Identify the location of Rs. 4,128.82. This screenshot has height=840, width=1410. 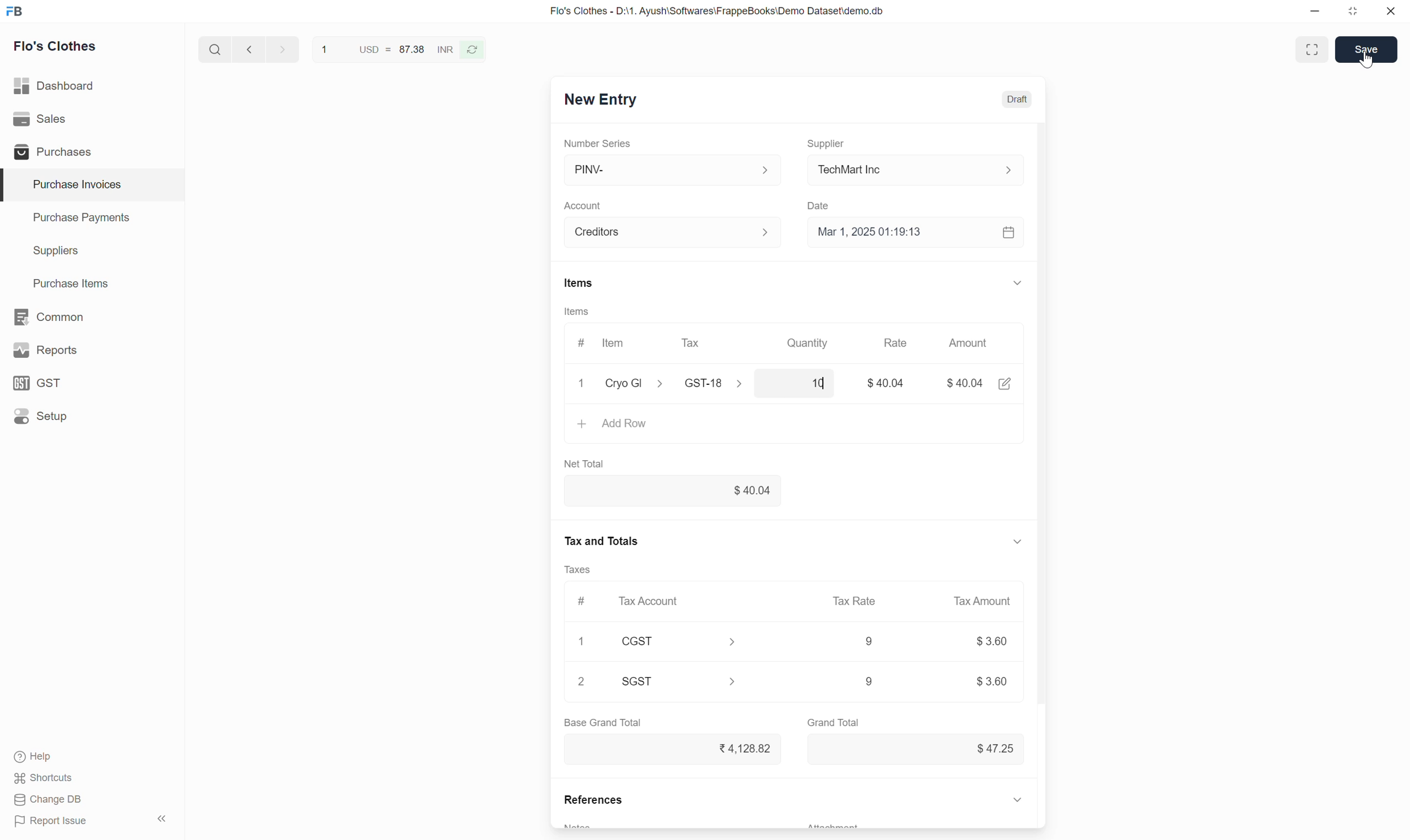
(740, 747).